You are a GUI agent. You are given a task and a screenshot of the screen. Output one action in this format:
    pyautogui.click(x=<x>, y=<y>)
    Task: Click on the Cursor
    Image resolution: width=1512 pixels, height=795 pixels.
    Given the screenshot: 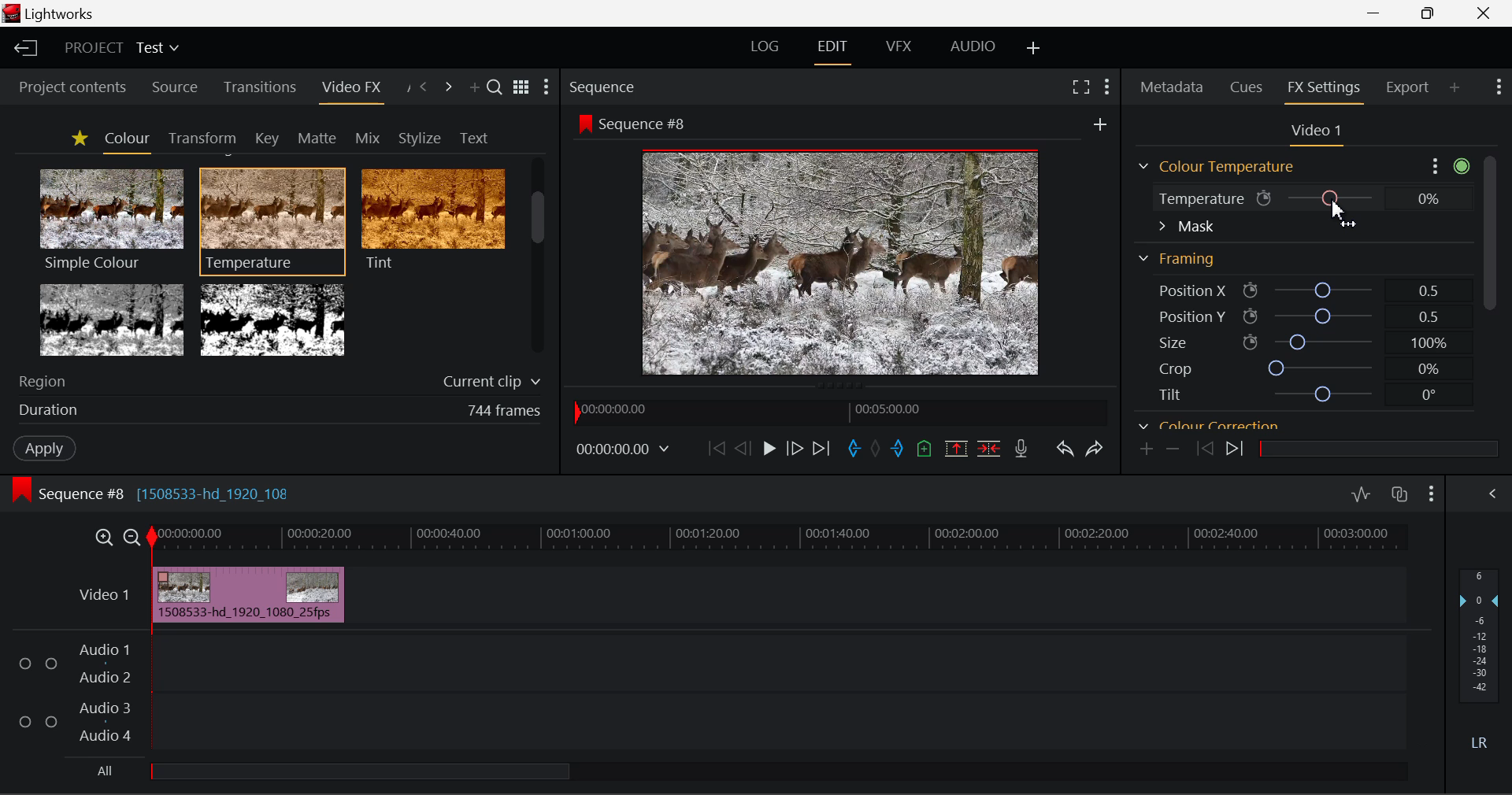 What is the action you would take?
    pyautogui.click(x=1341, y=213)
    